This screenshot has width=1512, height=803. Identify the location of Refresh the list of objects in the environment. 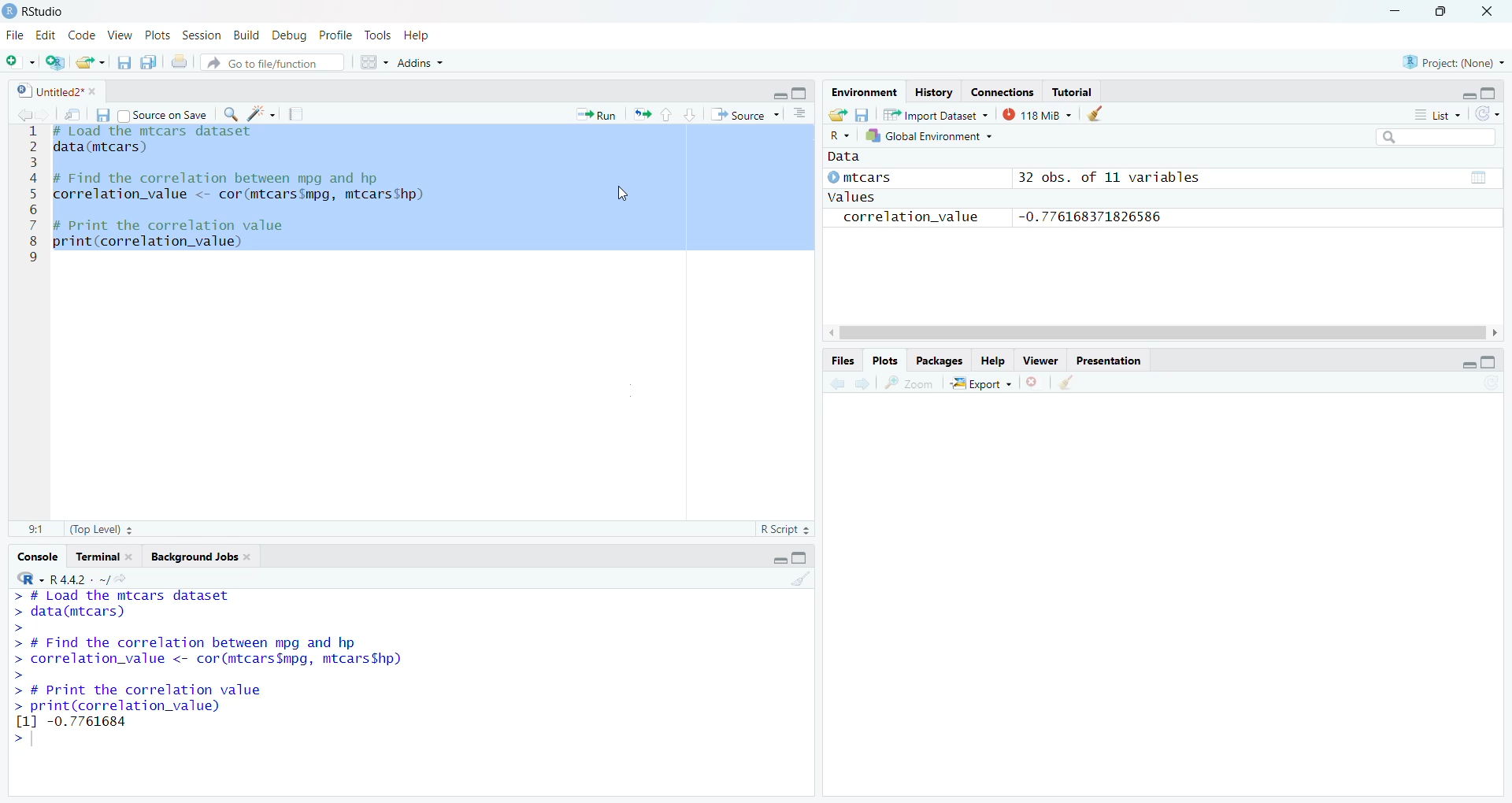
(1489, 115).